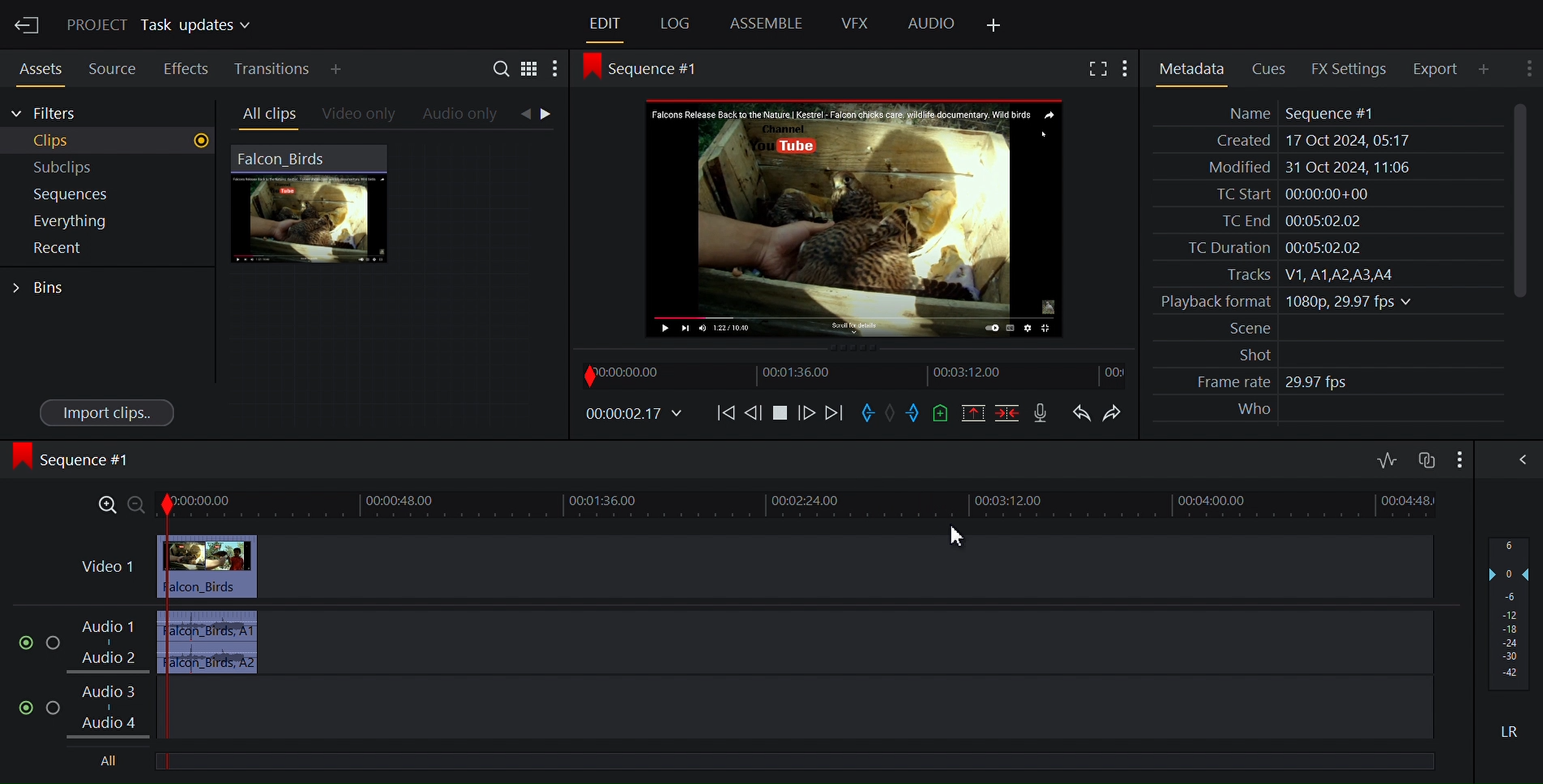 Image resolution: width=1543 pixels, height=784 pixels. Describe the element at coordinates (75, 462) in the screenshot. I see `Sequence #1` at that location.